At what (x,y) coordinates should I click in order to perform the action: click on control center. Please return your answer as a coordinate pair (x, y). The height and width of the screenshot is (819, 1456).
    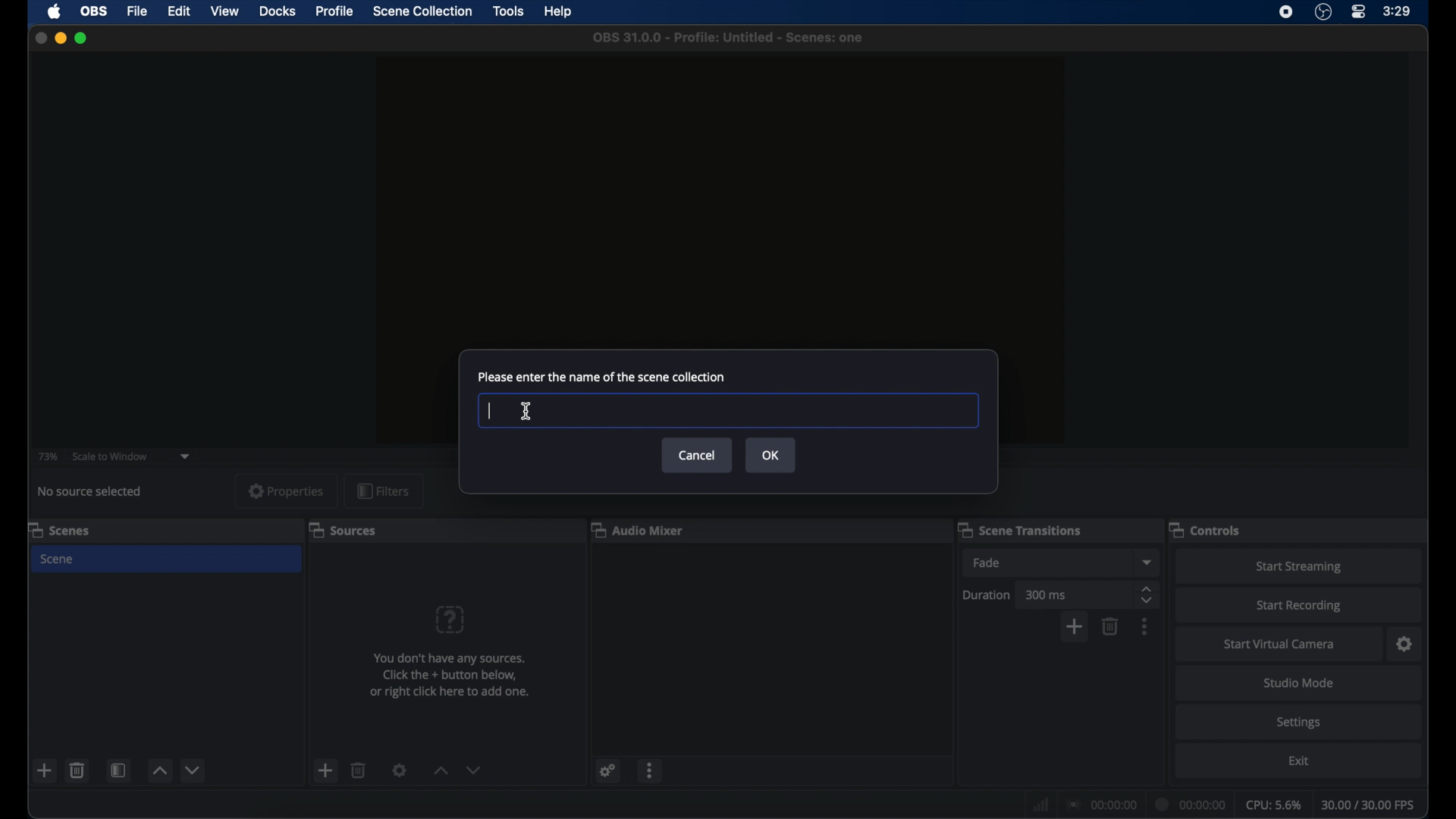
    Looking at the image, I should click on (1359, 11).